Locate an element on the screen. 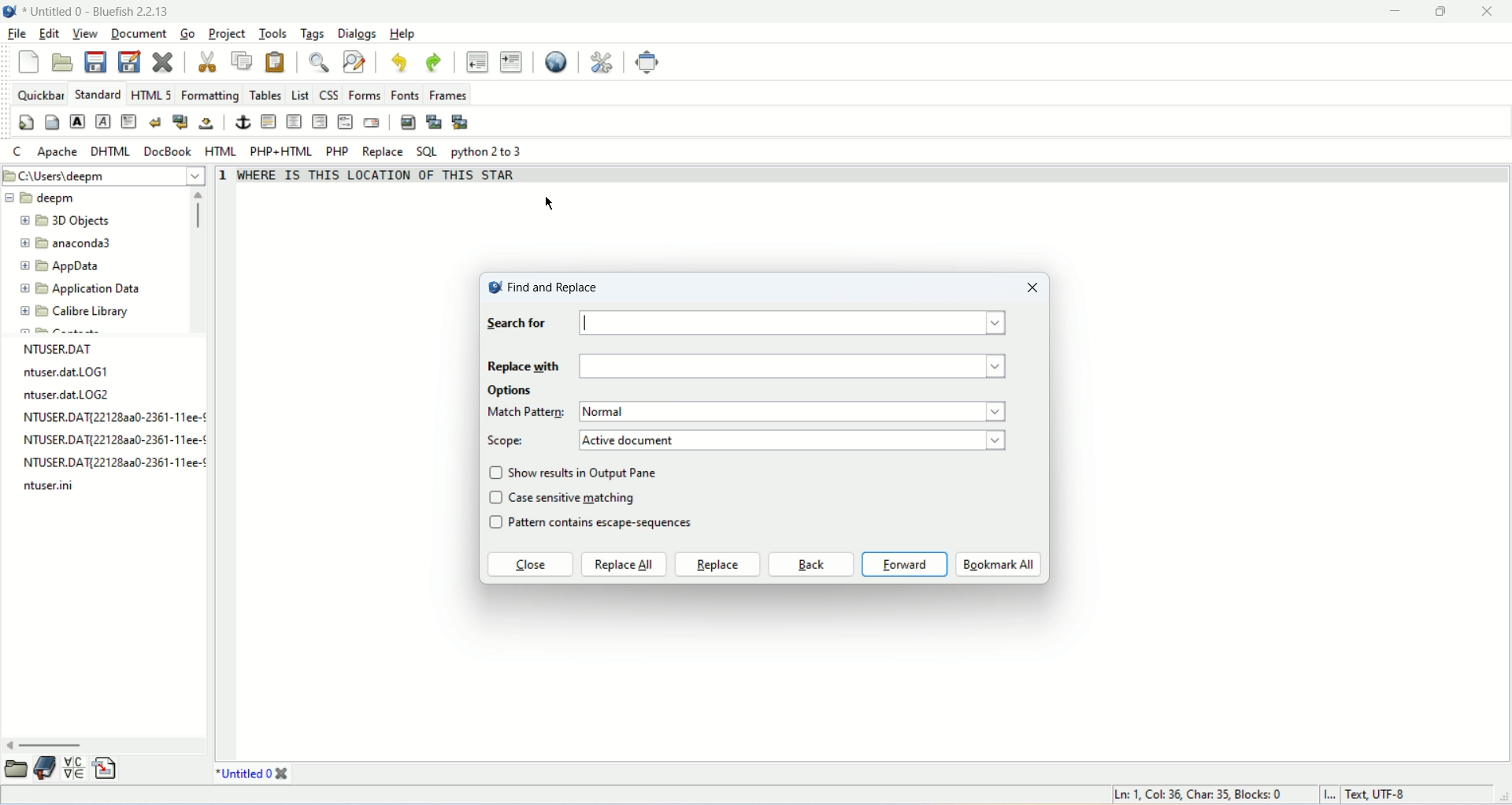  Untitled 0 - Bluefish 2.2.13 is located at coordinates (98, 10).